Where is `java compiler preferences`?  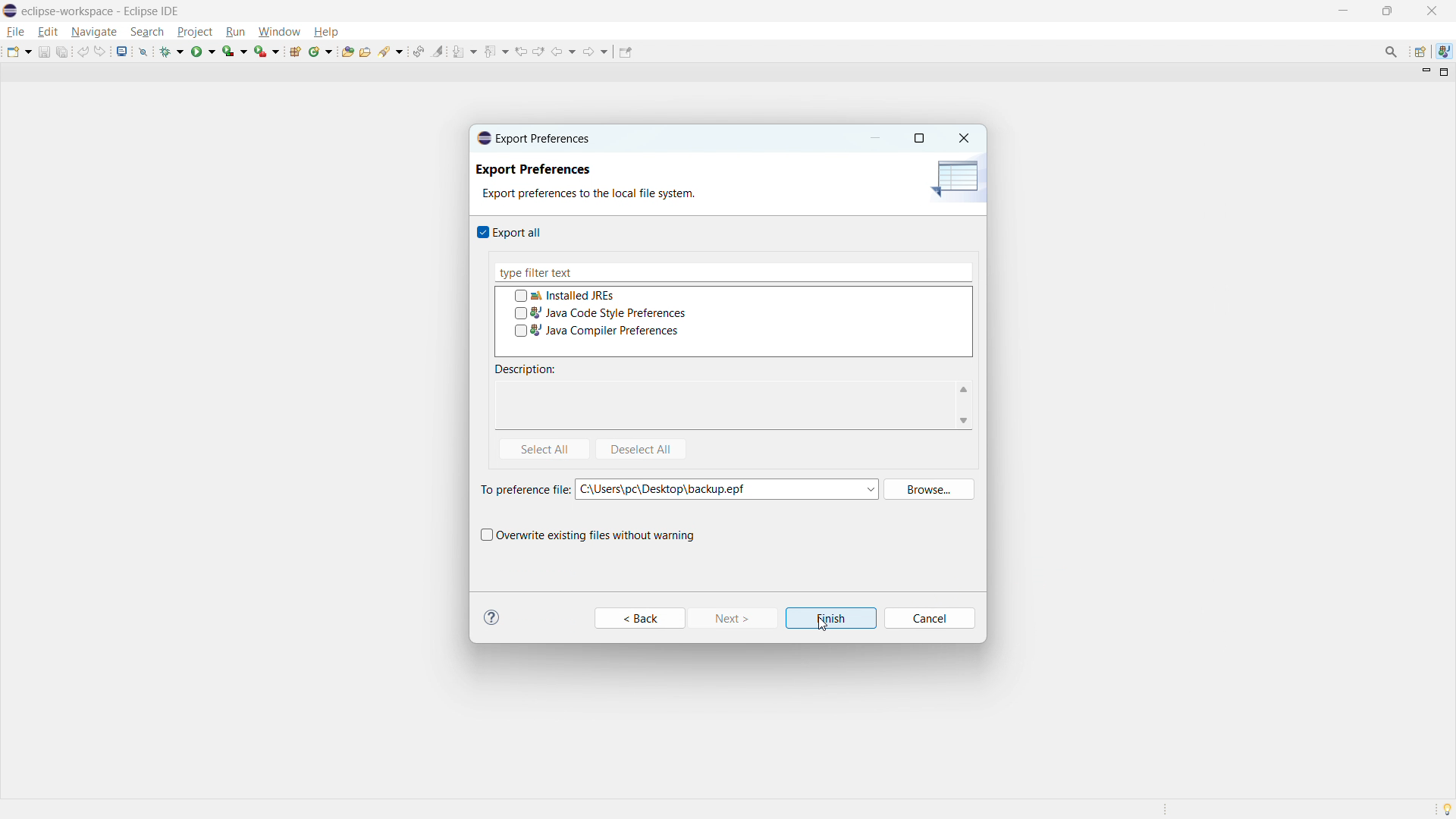 java compiler preferences is located at coordinates (596, 331).